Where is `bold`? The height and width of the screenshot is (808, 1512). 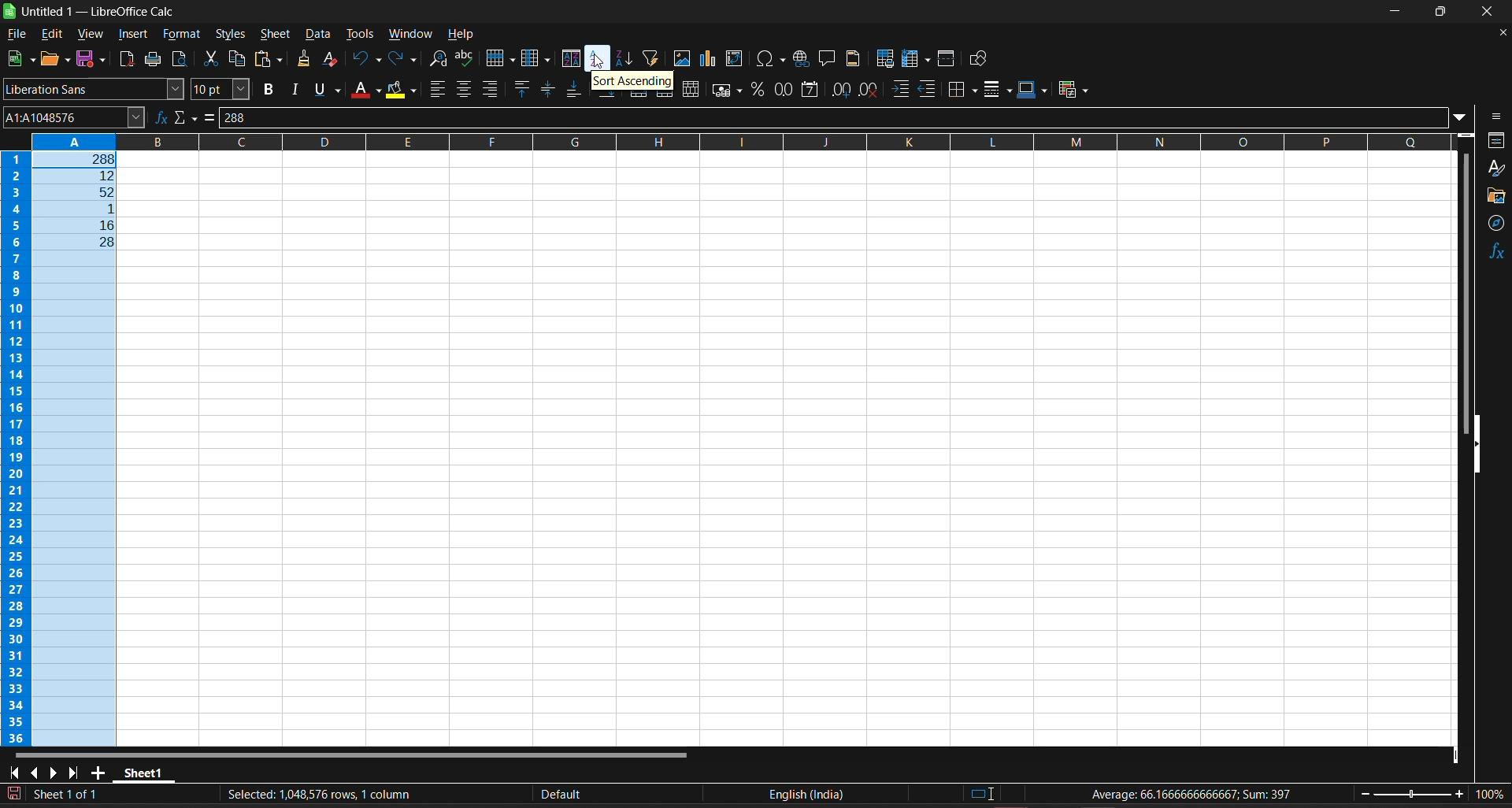 bold is located at coordinates (267, 90).